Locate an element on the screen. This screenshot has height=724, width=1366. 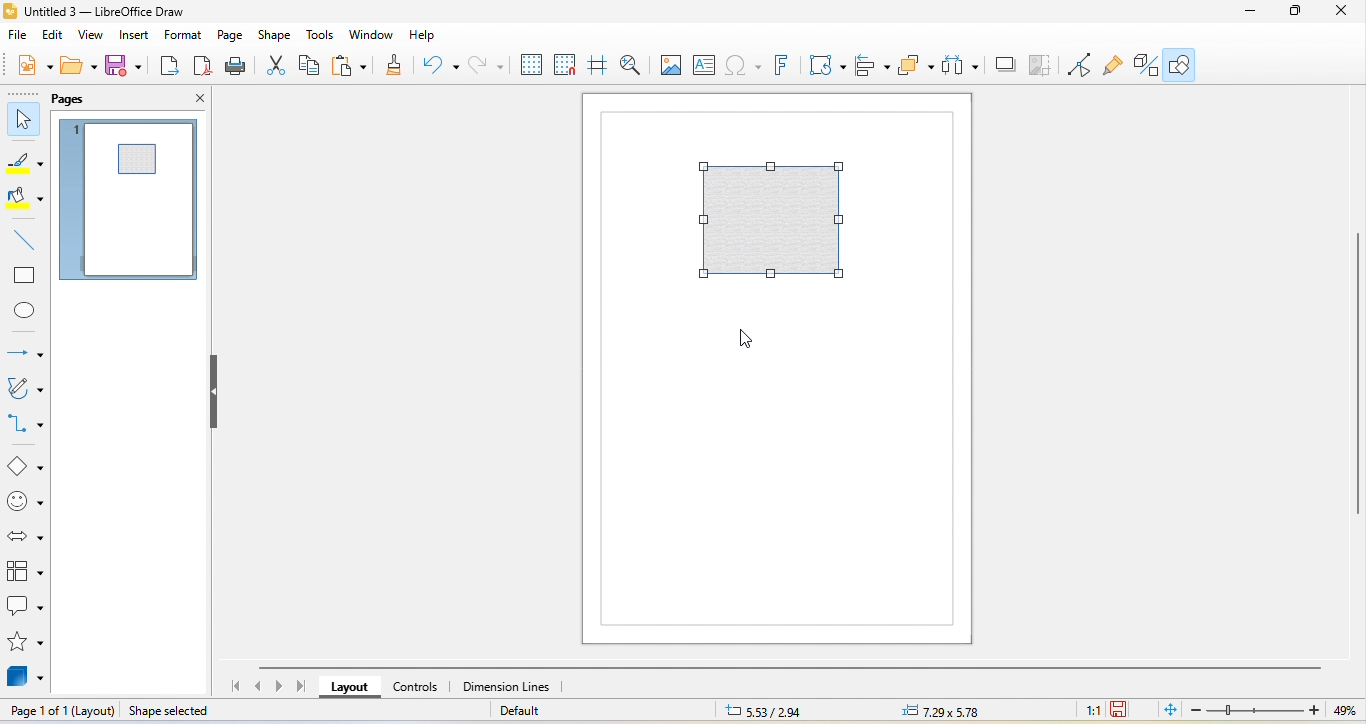
cut is located at coordinates (274, 66).